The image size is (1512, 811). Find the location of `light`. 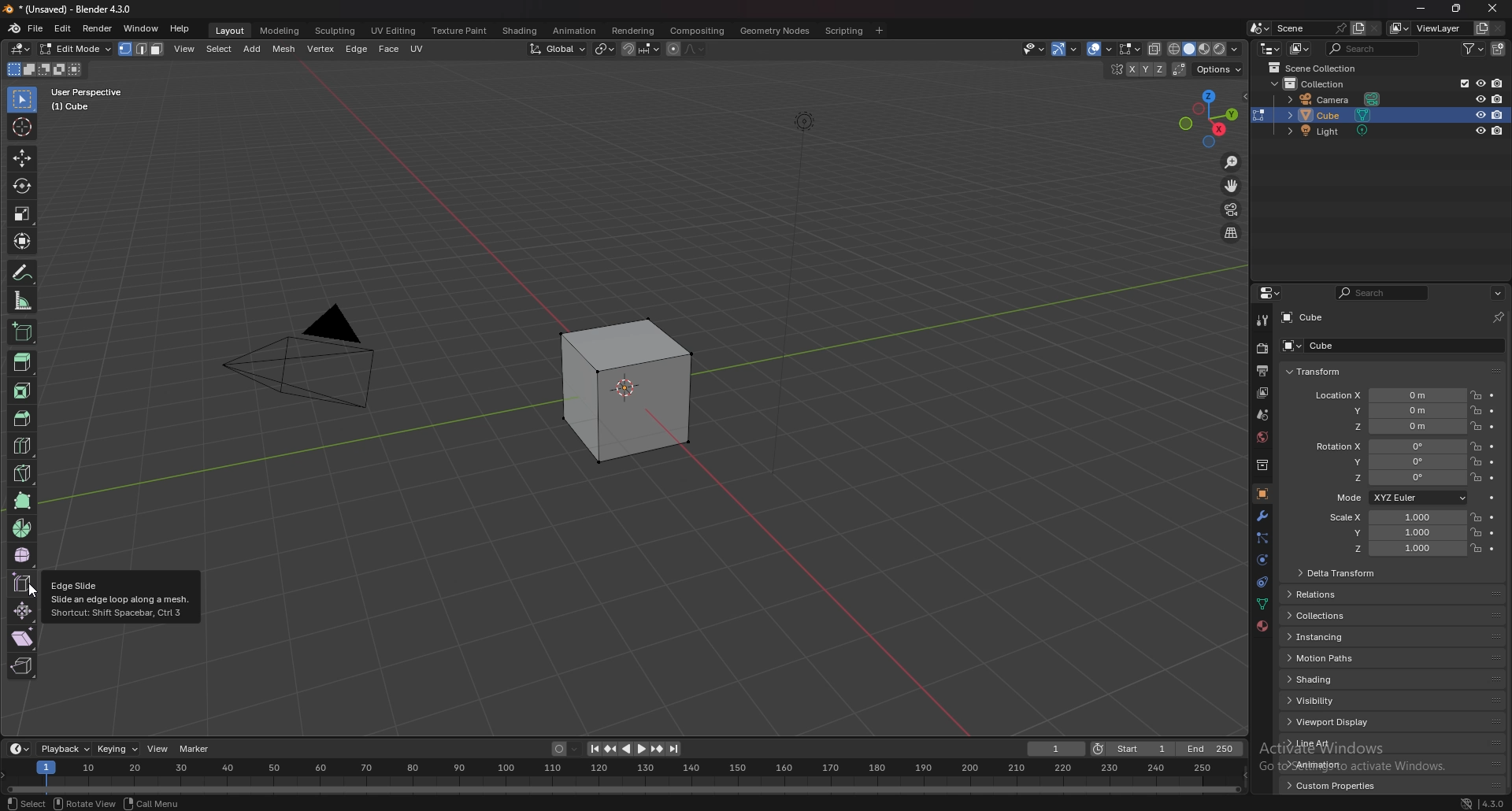

light is located at coordinates (1336, 133).